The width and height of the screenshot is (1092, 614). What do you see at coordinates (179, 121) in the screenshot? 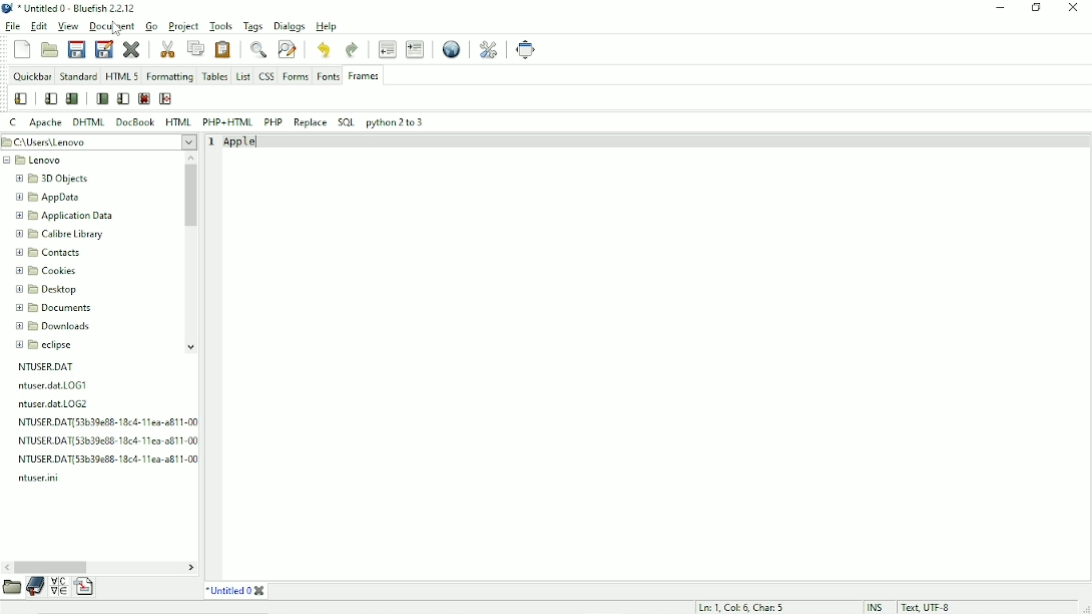
I see `HTML` at bounding box center [179, 121].